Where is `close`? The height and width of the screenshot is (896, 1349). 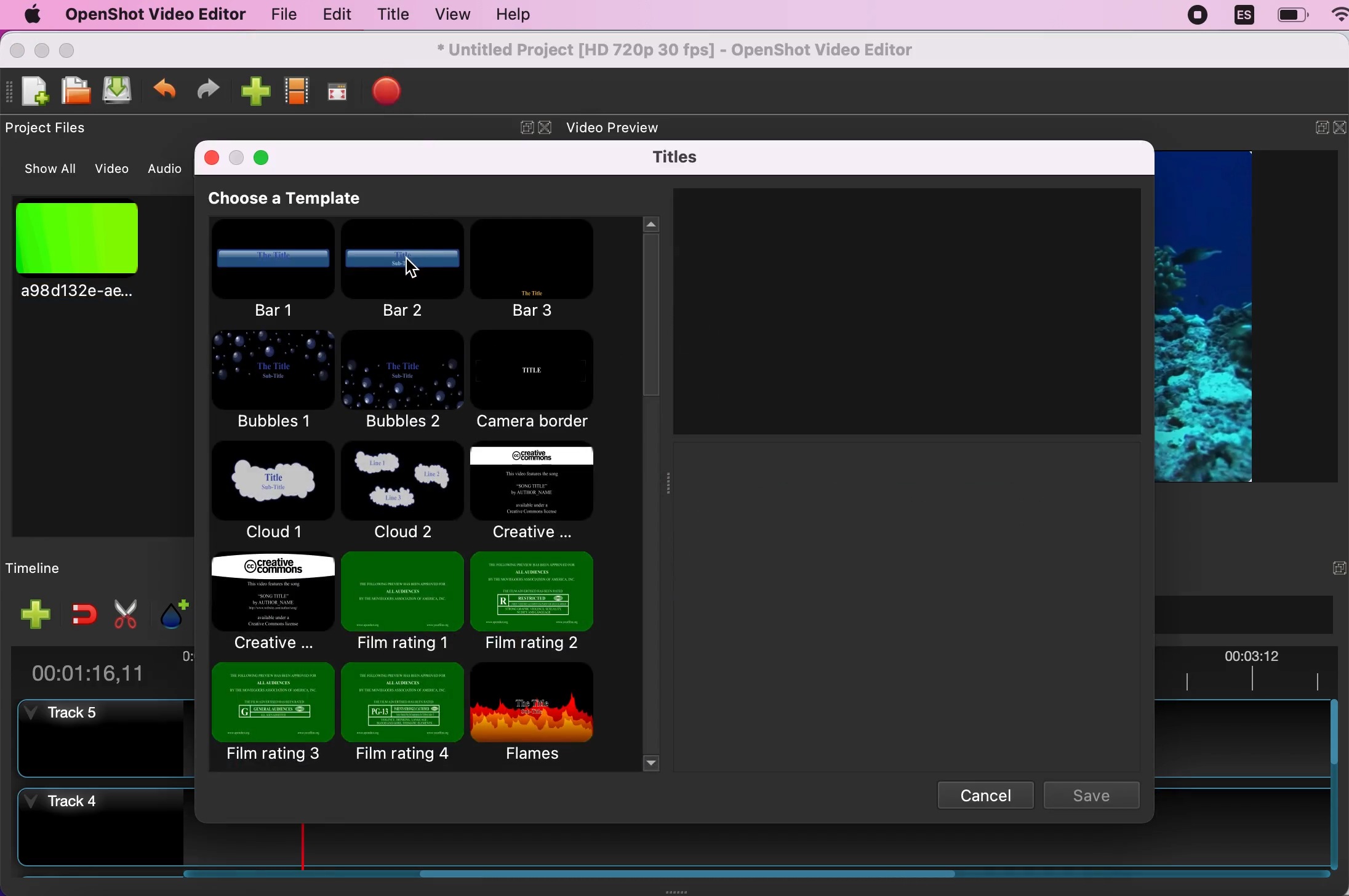
close is located at coordinates (1340, 130).